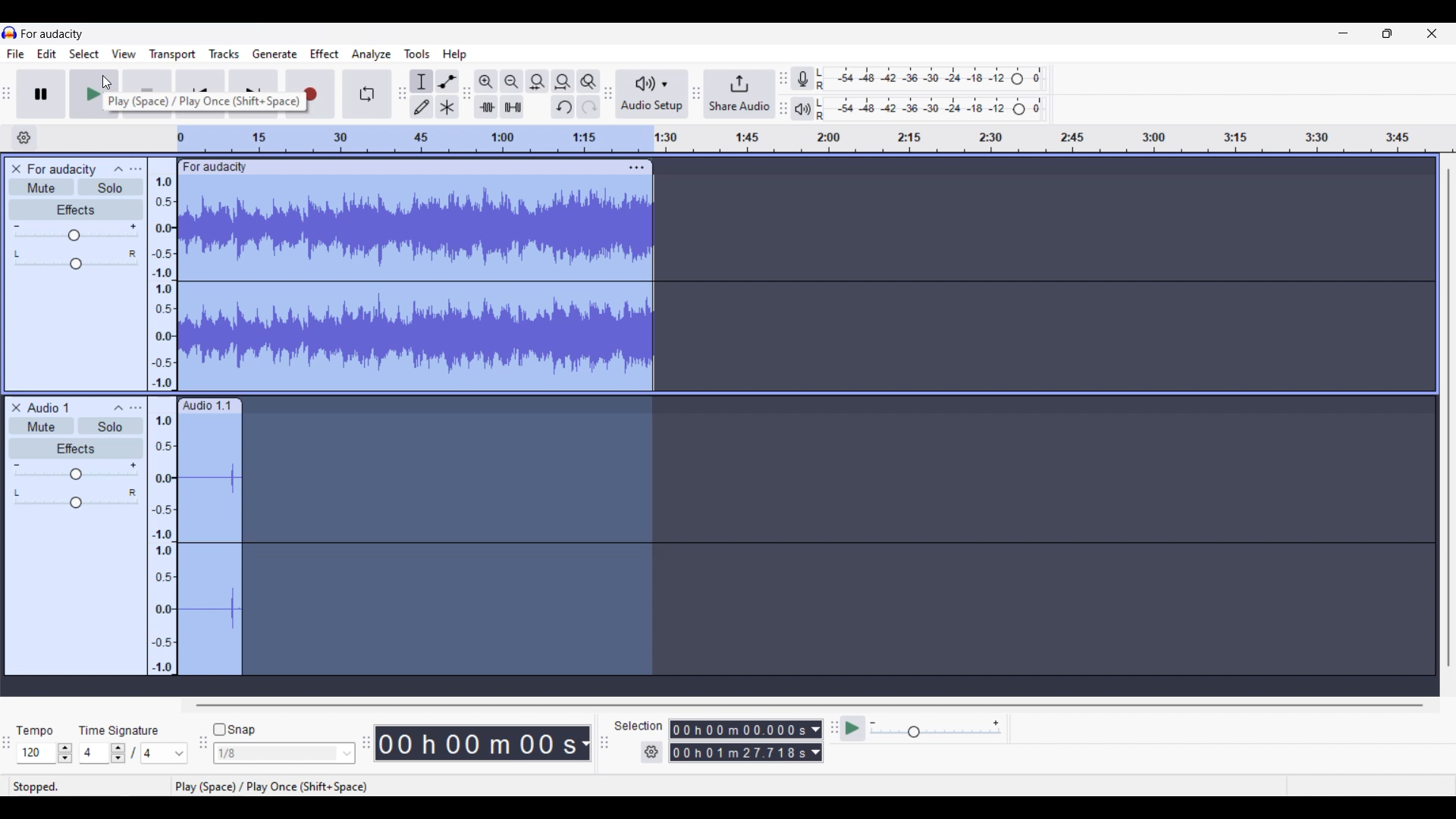 Image resolution: width=1456 pixels, height=819 pixels. What do you see at coordinates (94, 94) in the screenshot?
I see `Play/Play once` at bounding box center [94, 94].